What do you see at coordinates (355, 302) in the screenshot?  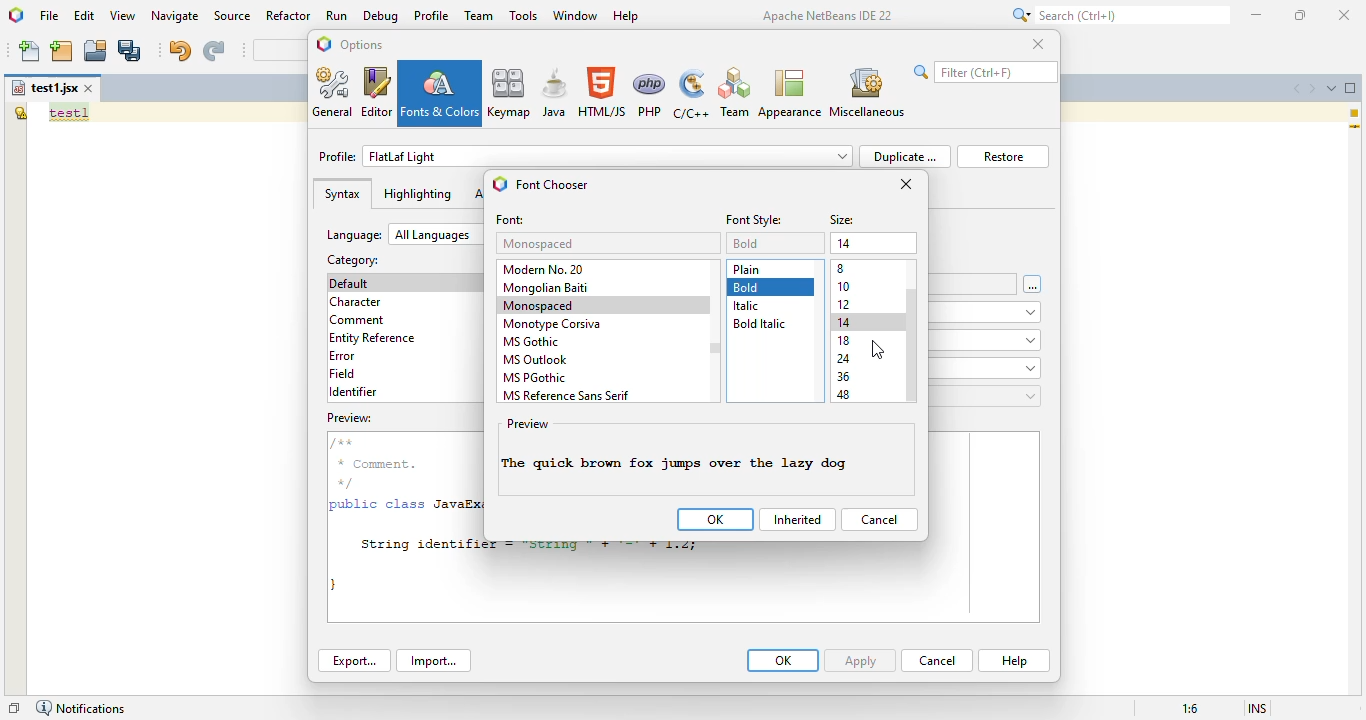 I see `character` at bounding box center [355, 302].